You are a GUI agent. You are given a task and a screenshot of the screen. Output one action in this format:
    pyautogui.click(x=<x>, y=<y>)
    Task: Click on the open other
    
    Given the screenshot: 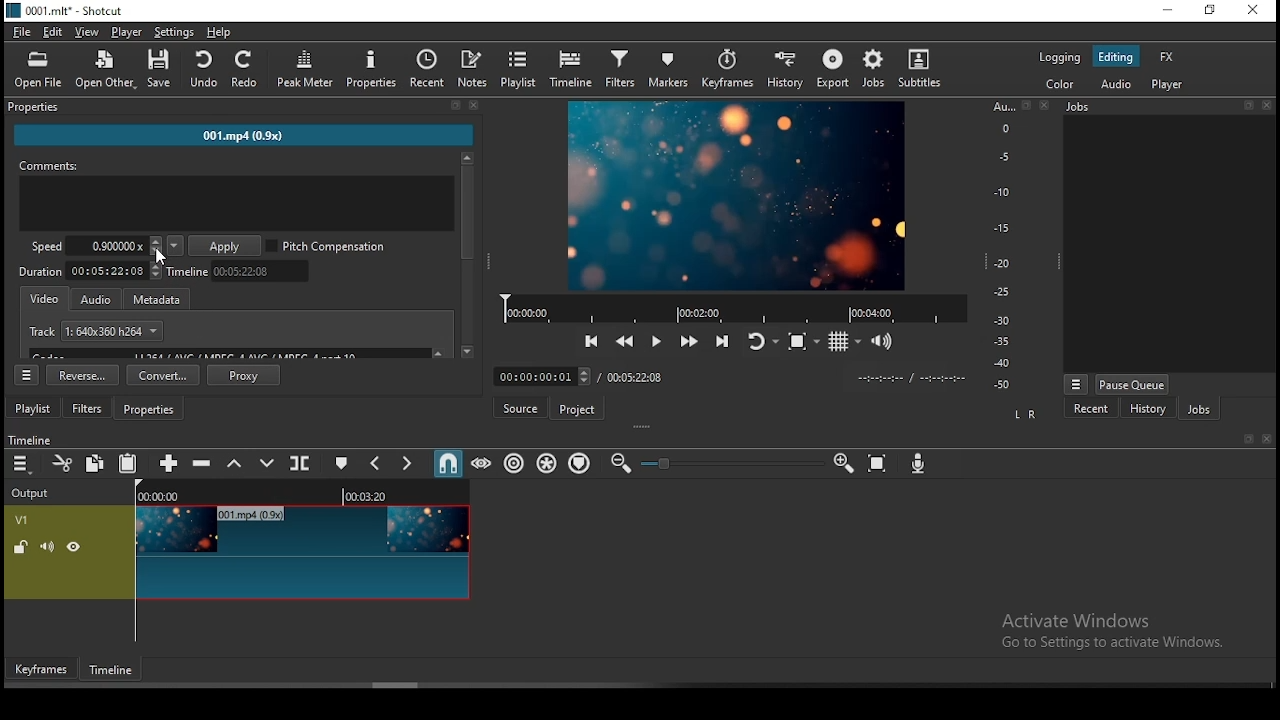 What is the action you would take?
    pyautogui.click(x=106, y=72)
    